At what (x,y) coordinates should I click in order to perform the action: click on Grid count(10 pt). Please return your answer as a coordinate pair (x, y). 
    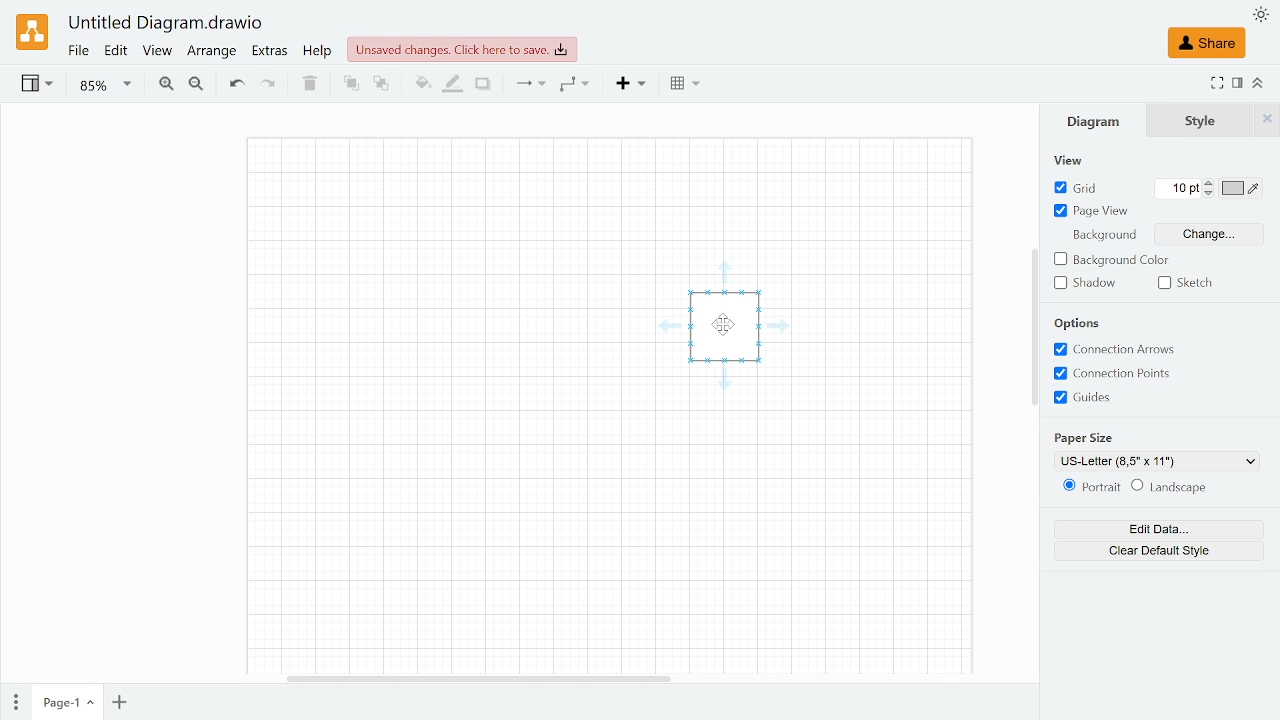
    Looking at the image, I should click on (1180, 189).